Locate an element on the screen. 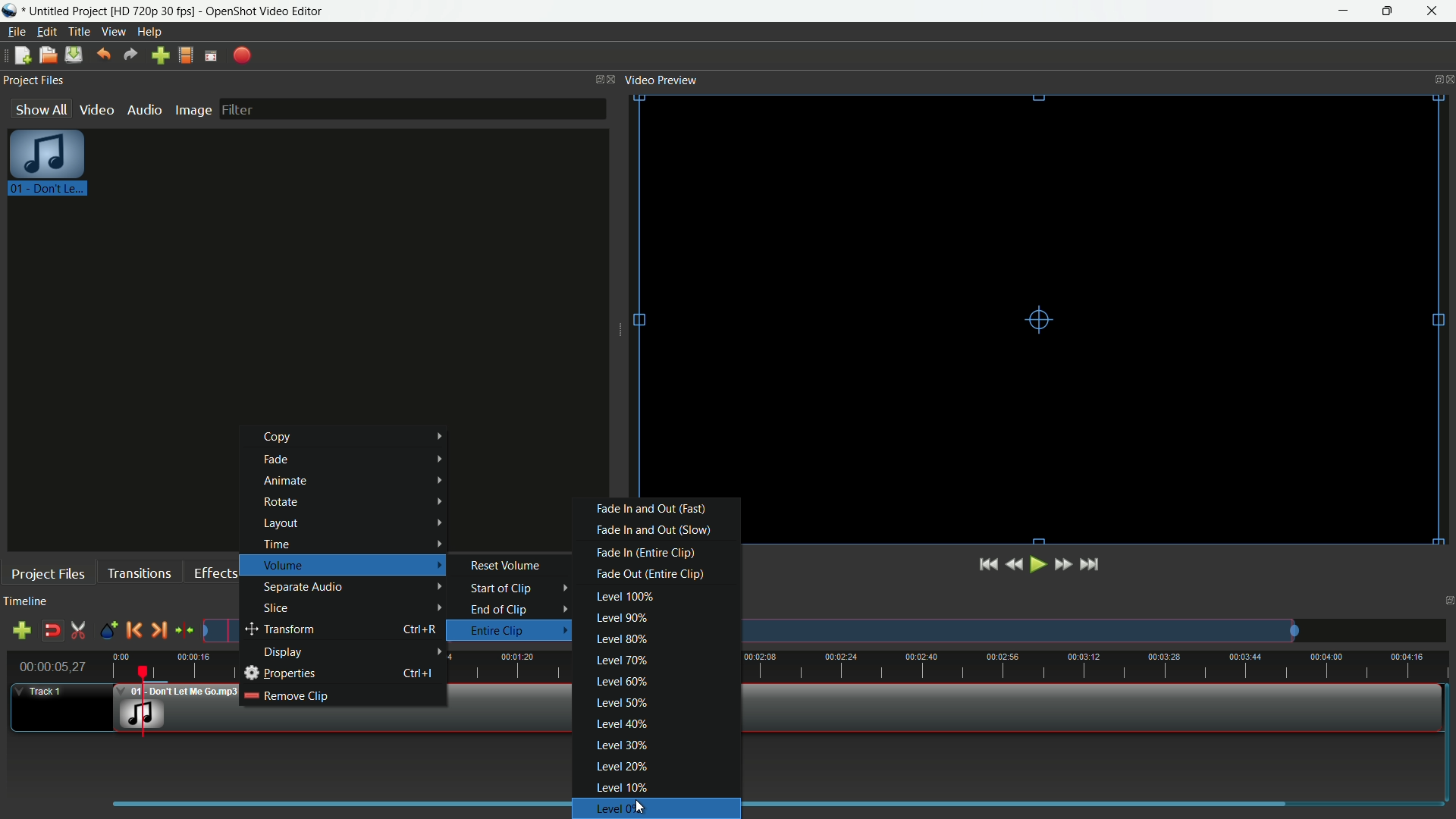 The height and width of the screenshot is (819, 1456). end of clip is located at coordinates (519, 610).